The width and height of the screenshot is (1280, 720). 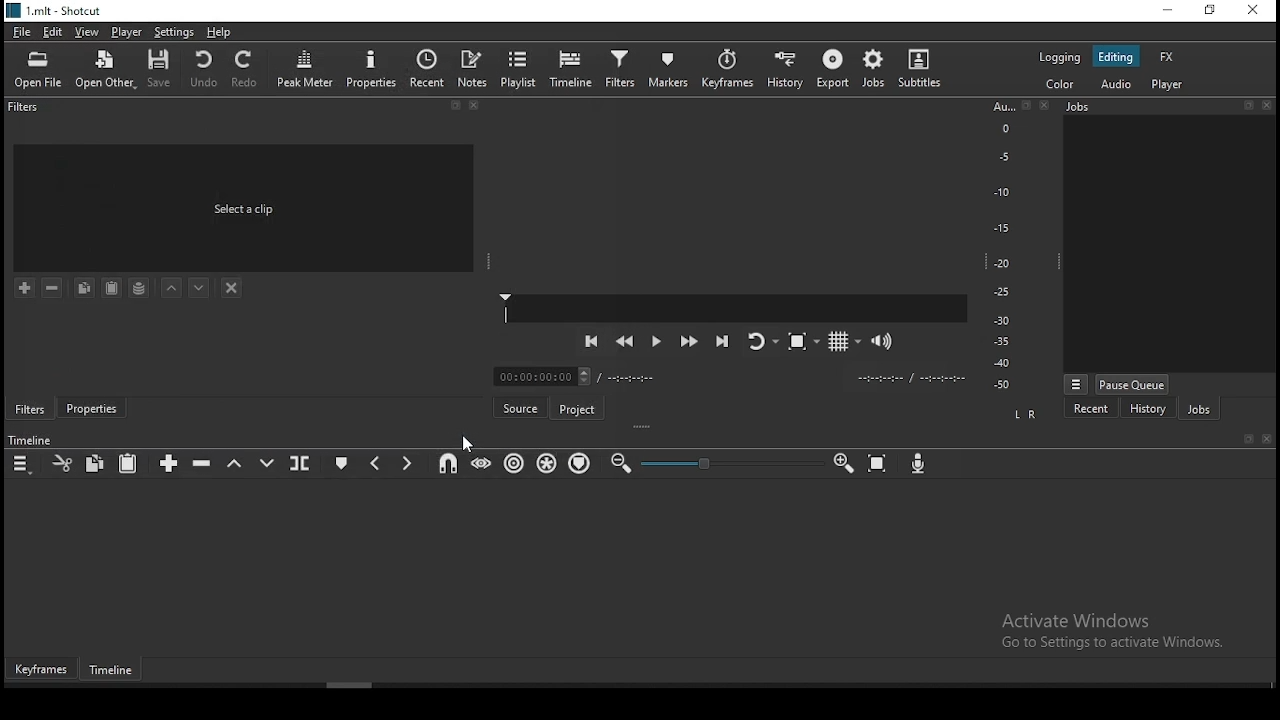 What do you see at coordinates (25, 110) in the screenshot?
I see `filters` at bounding box center [25, 110].